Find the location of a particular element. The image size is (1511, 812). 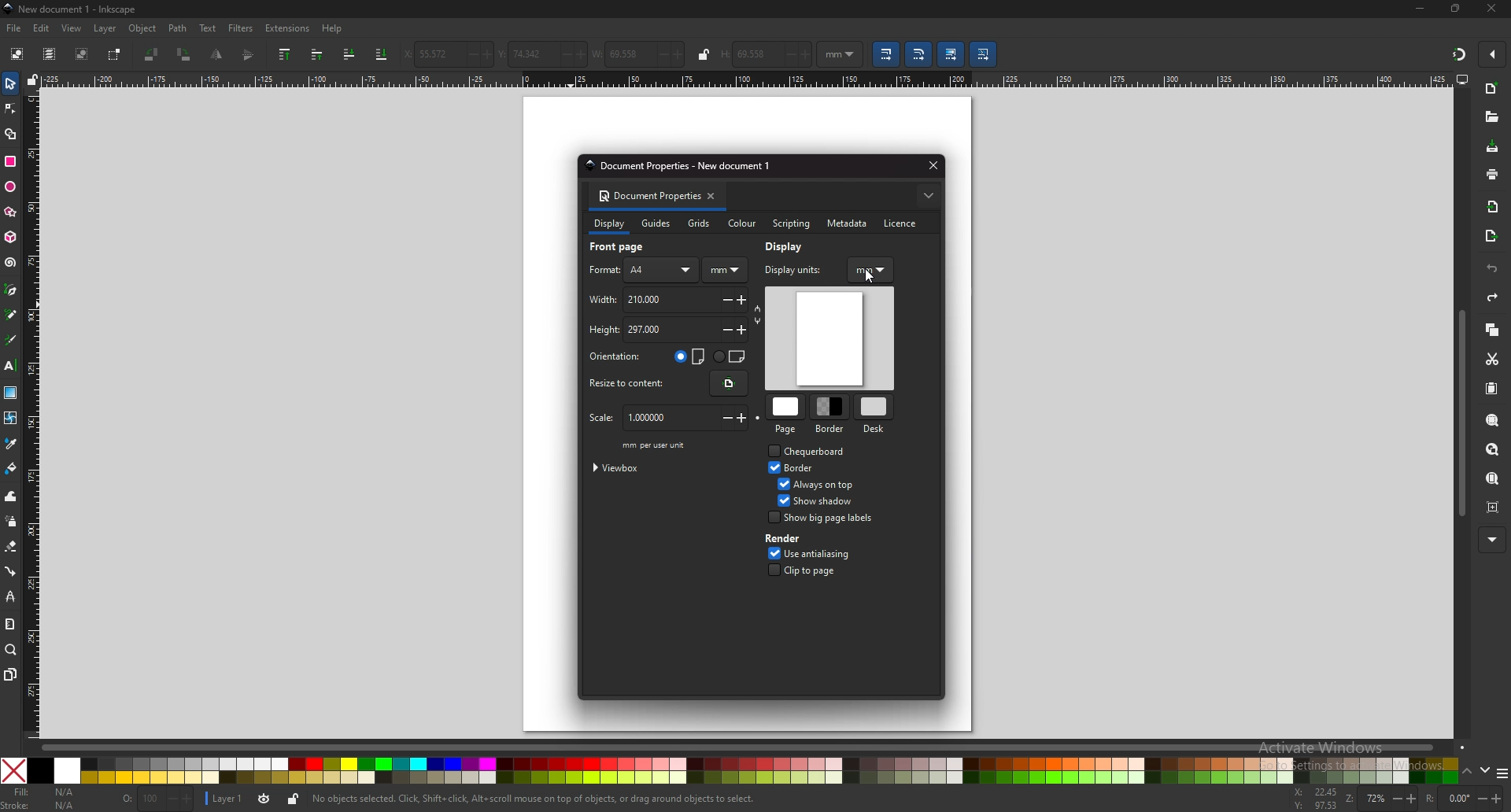

ellipse is located at coordinates (10, 186).